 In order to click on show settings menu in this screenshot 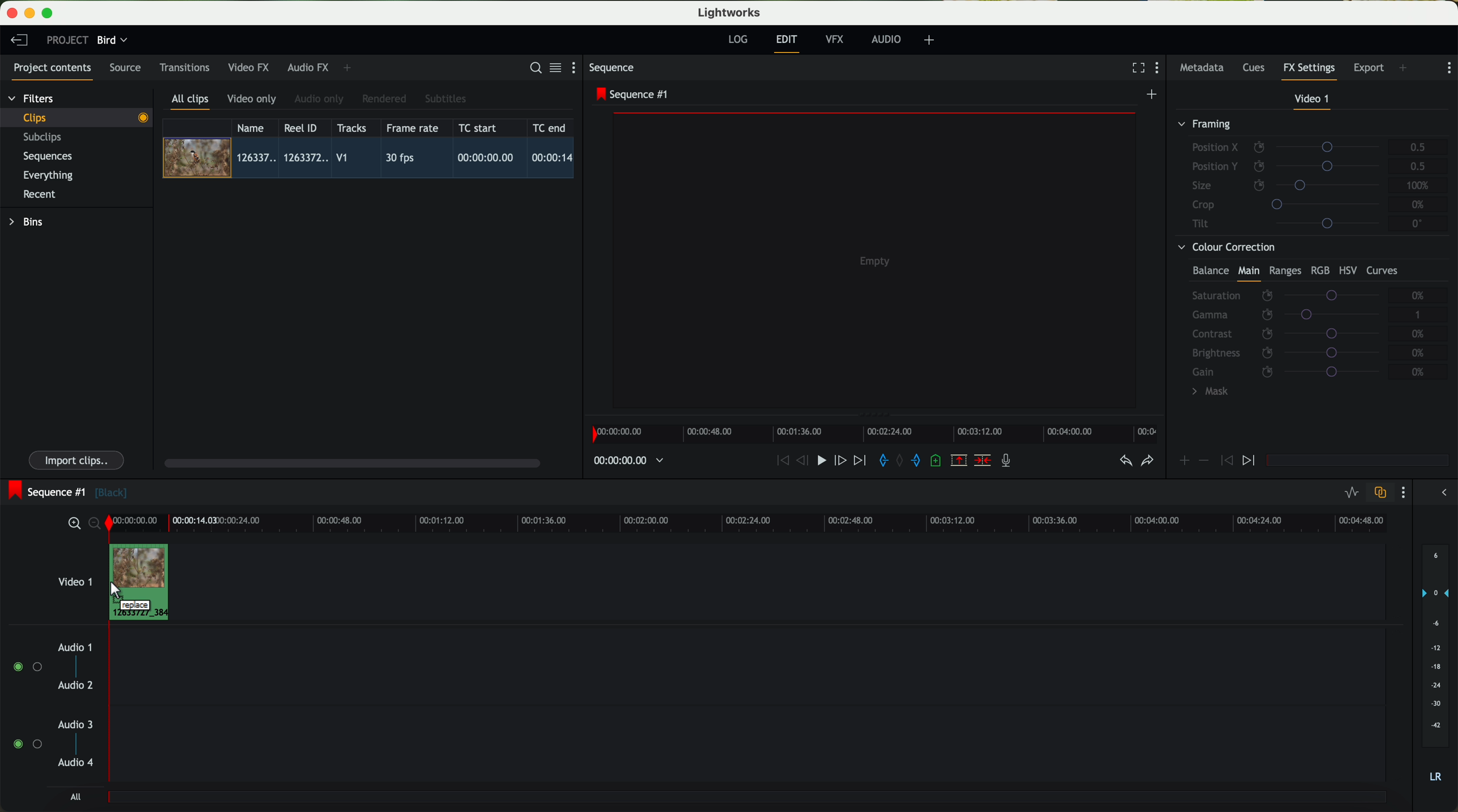, I will do `click(1448, 68)`.